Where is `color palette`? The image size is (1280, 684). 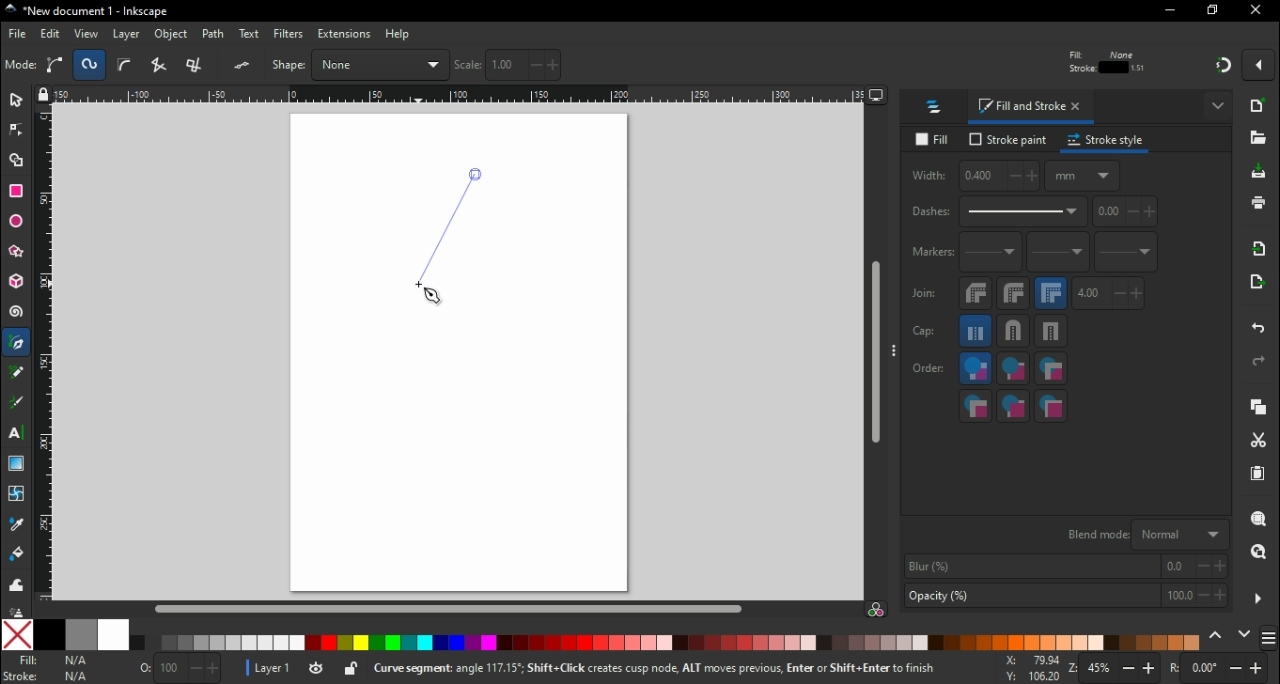 color palette is located at coordinates (668, 643).